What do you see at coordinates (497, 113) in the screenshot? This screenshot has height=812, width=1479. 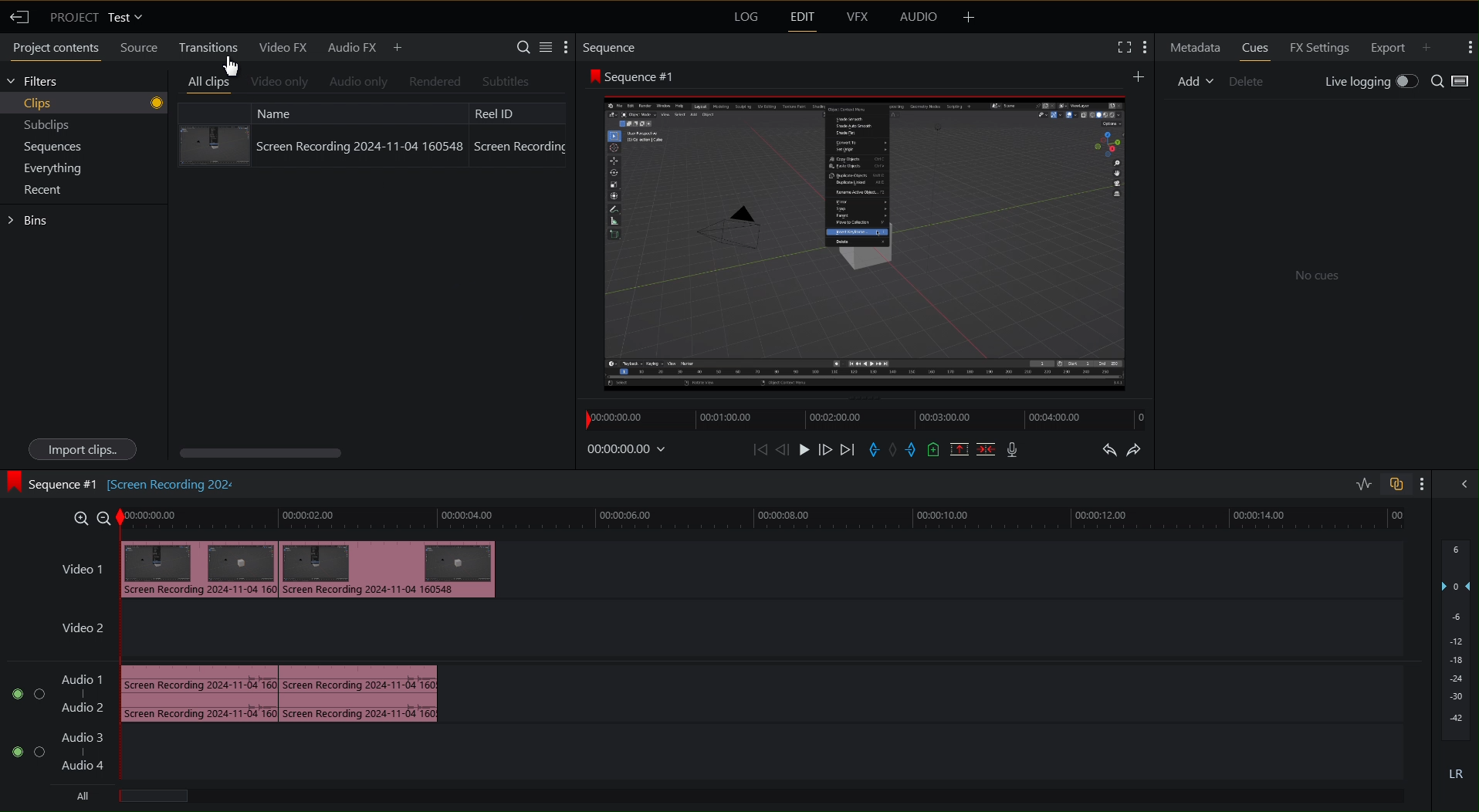 I see `Reel ID` at bounding box center [497, 113].